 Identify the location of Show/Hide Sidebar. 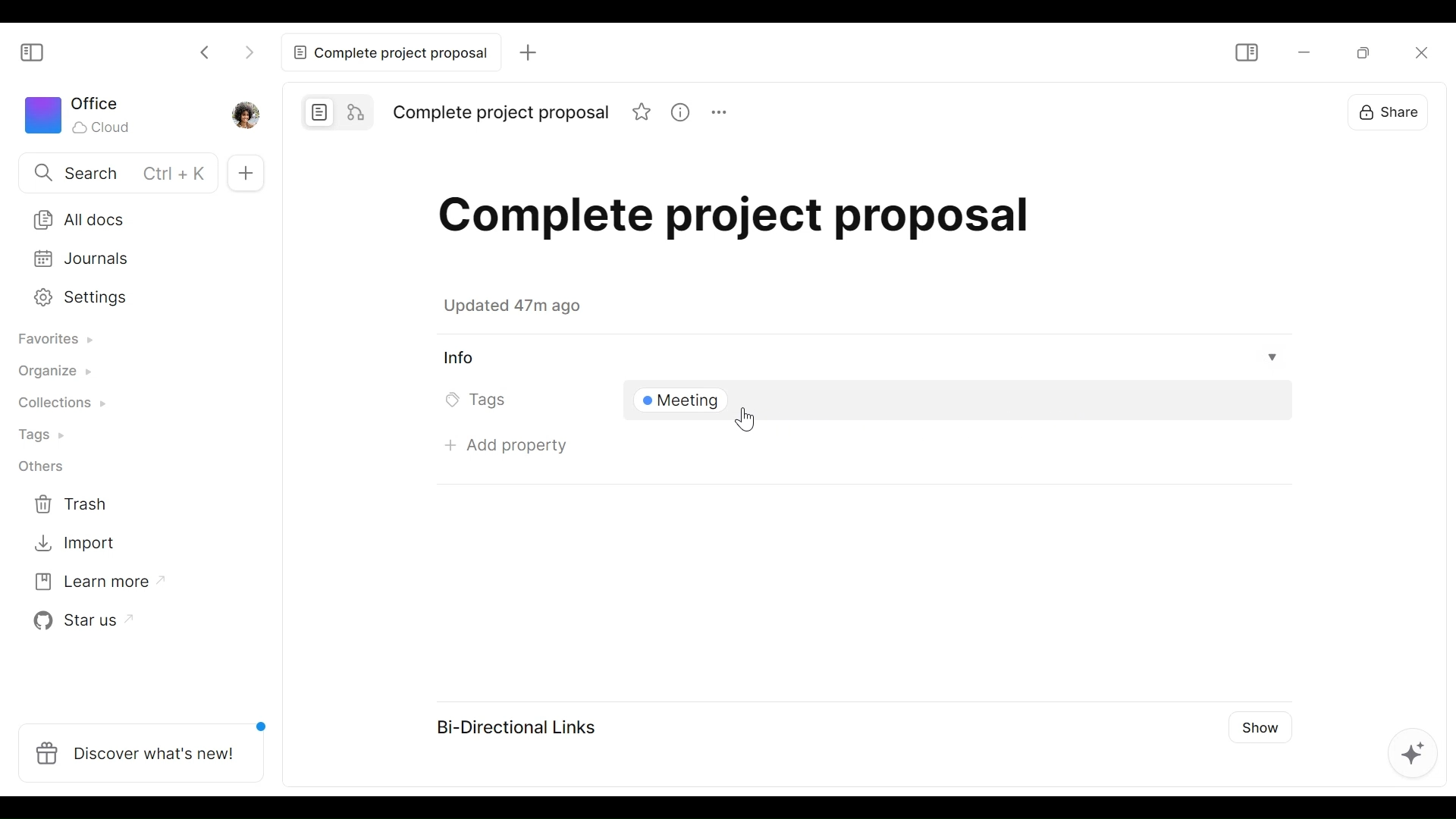
(39, 53).